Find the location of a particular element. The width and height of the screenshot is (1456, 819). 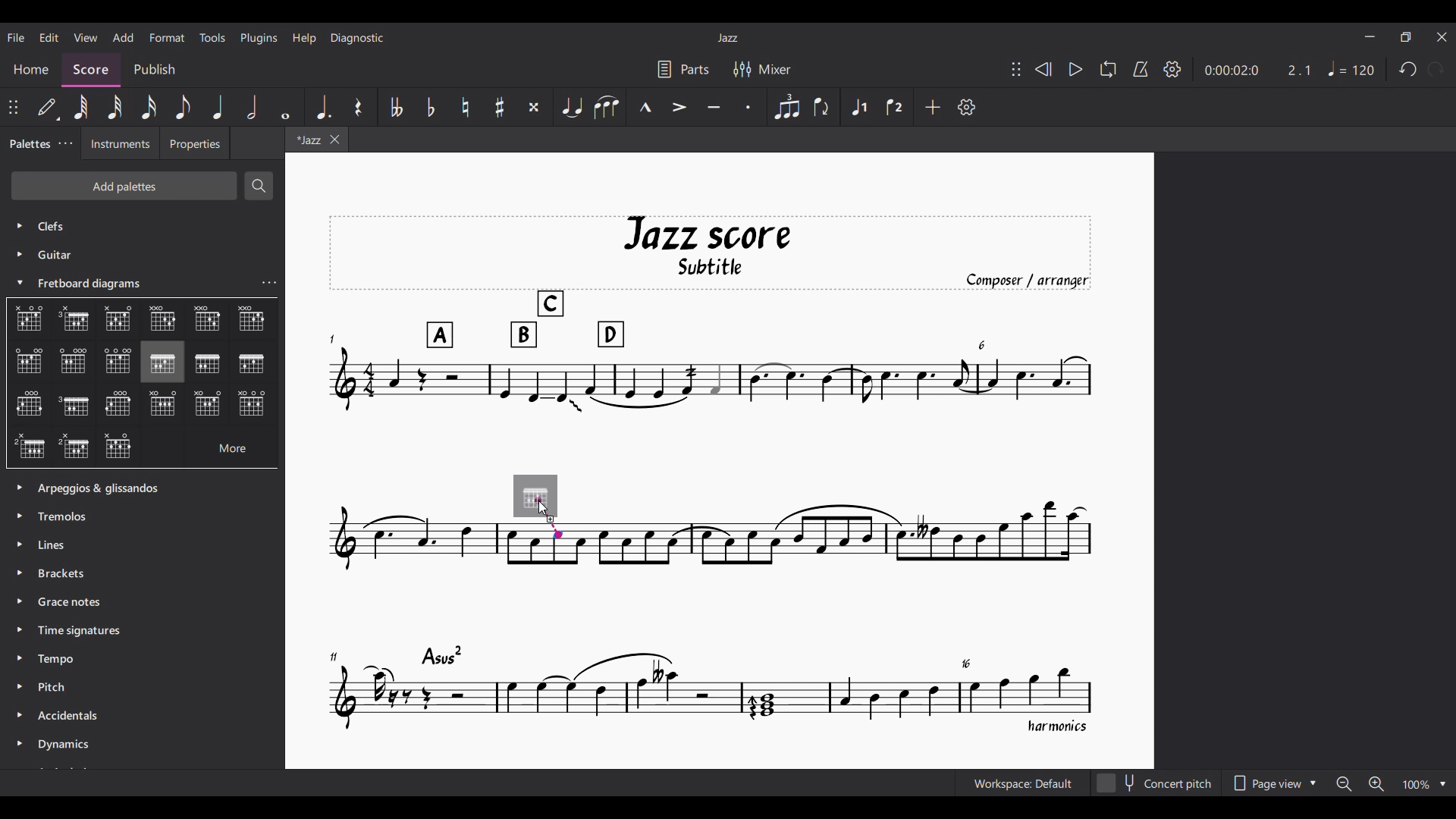

Voice 1 is located at coordinates (859, 106).